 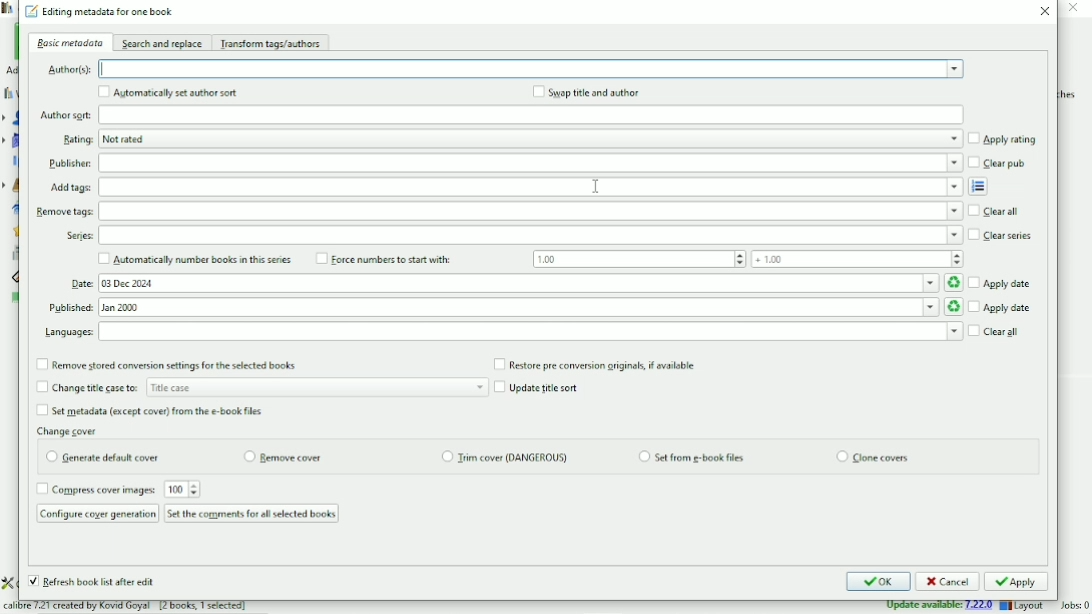 What do you see at coordinates (529, 163) in the screenshot?
I see `Publisher options` at bounding box center [529, 163].